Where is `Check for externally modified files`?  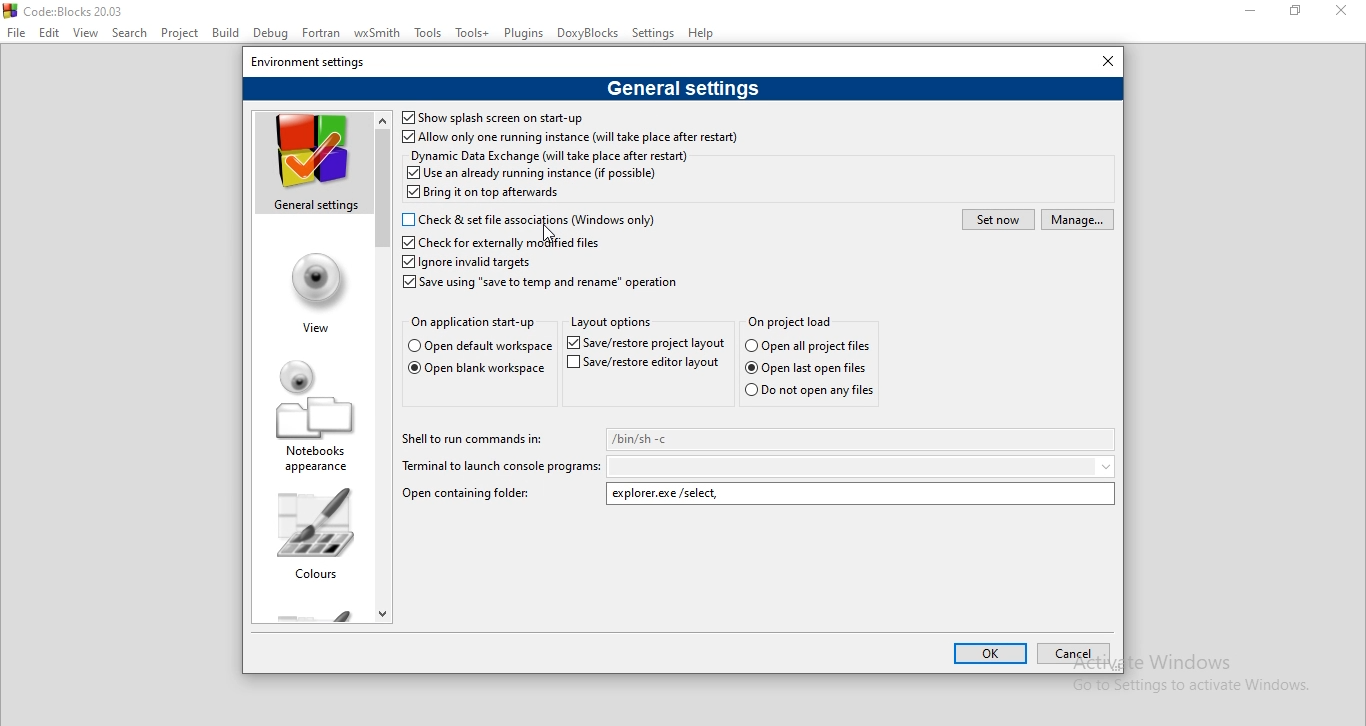
Check for externally modified files is located at coordinates (501, 242).